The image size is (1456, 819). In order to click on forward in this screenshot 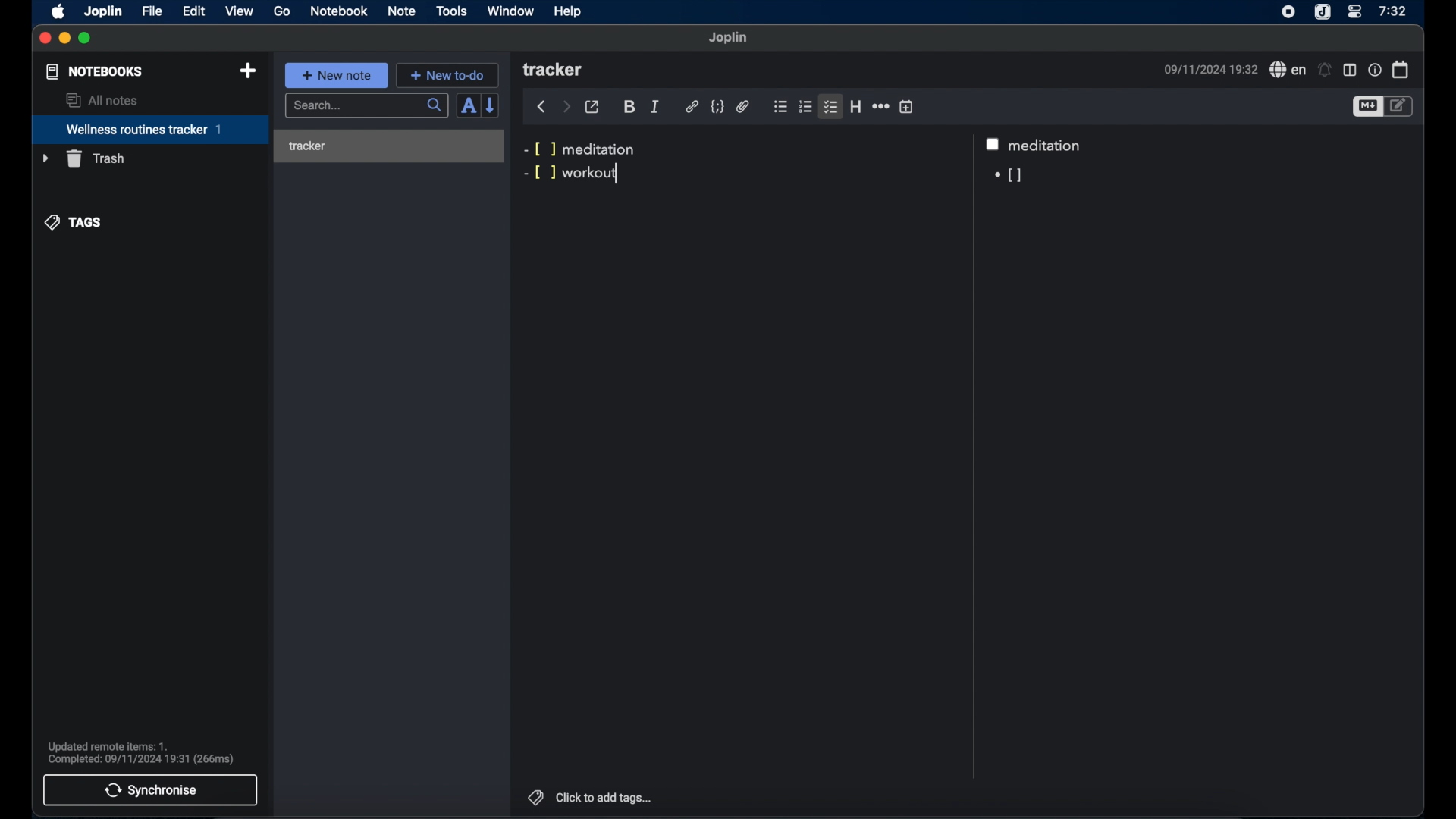, I will do `click(566, 106)`.